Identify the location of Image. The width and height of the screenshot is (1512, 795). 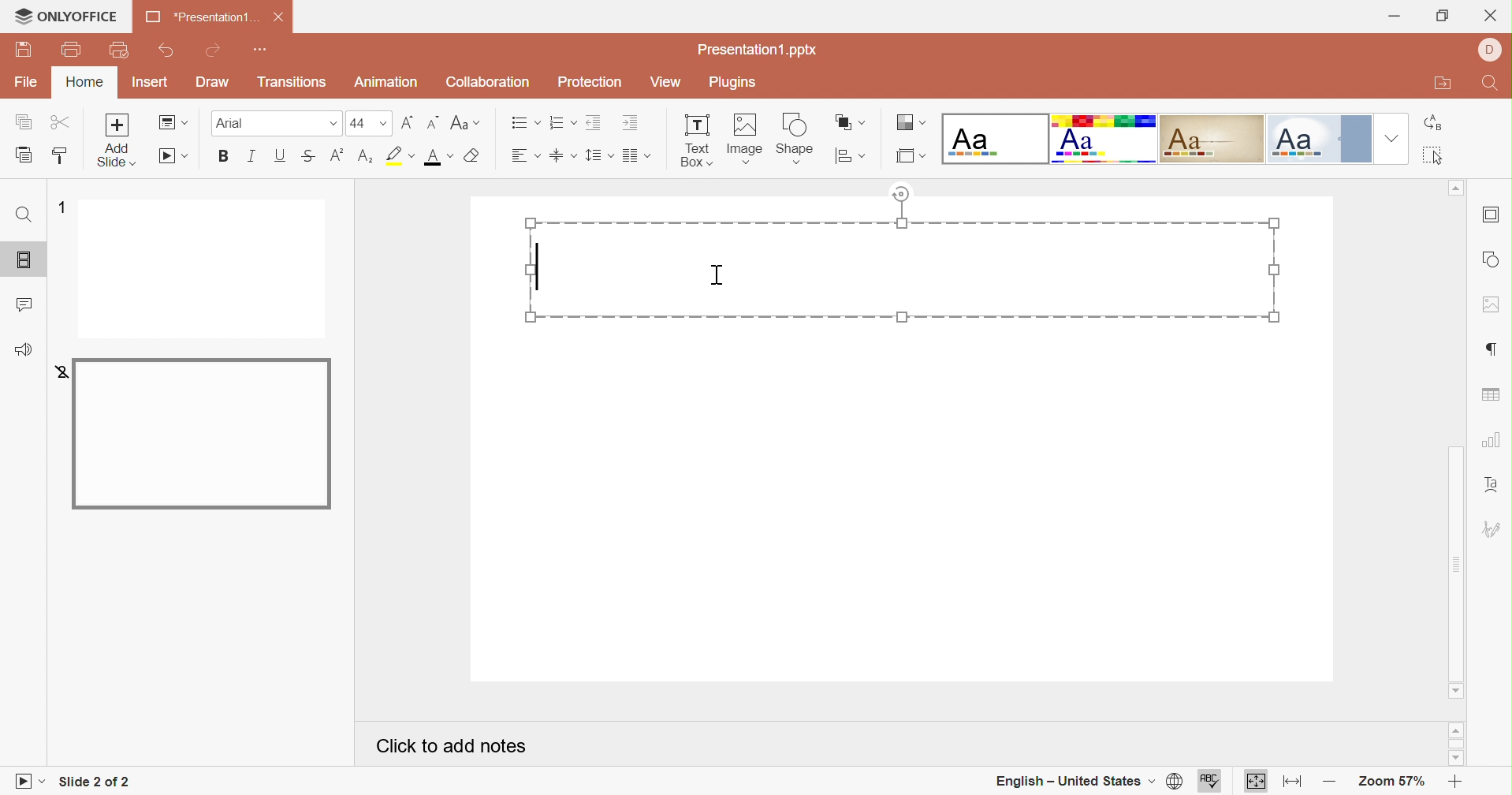
(749, 140).